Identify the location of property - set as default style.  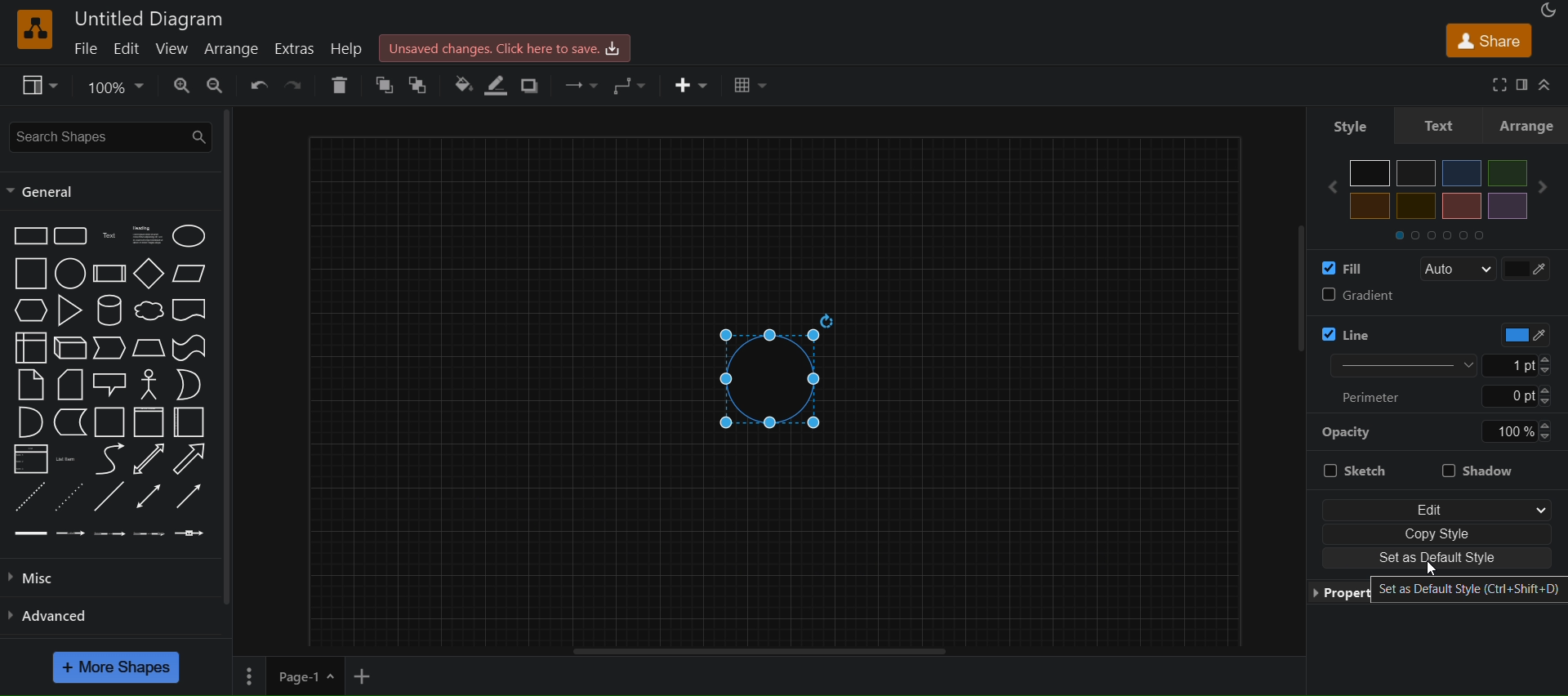
(1437, 589).